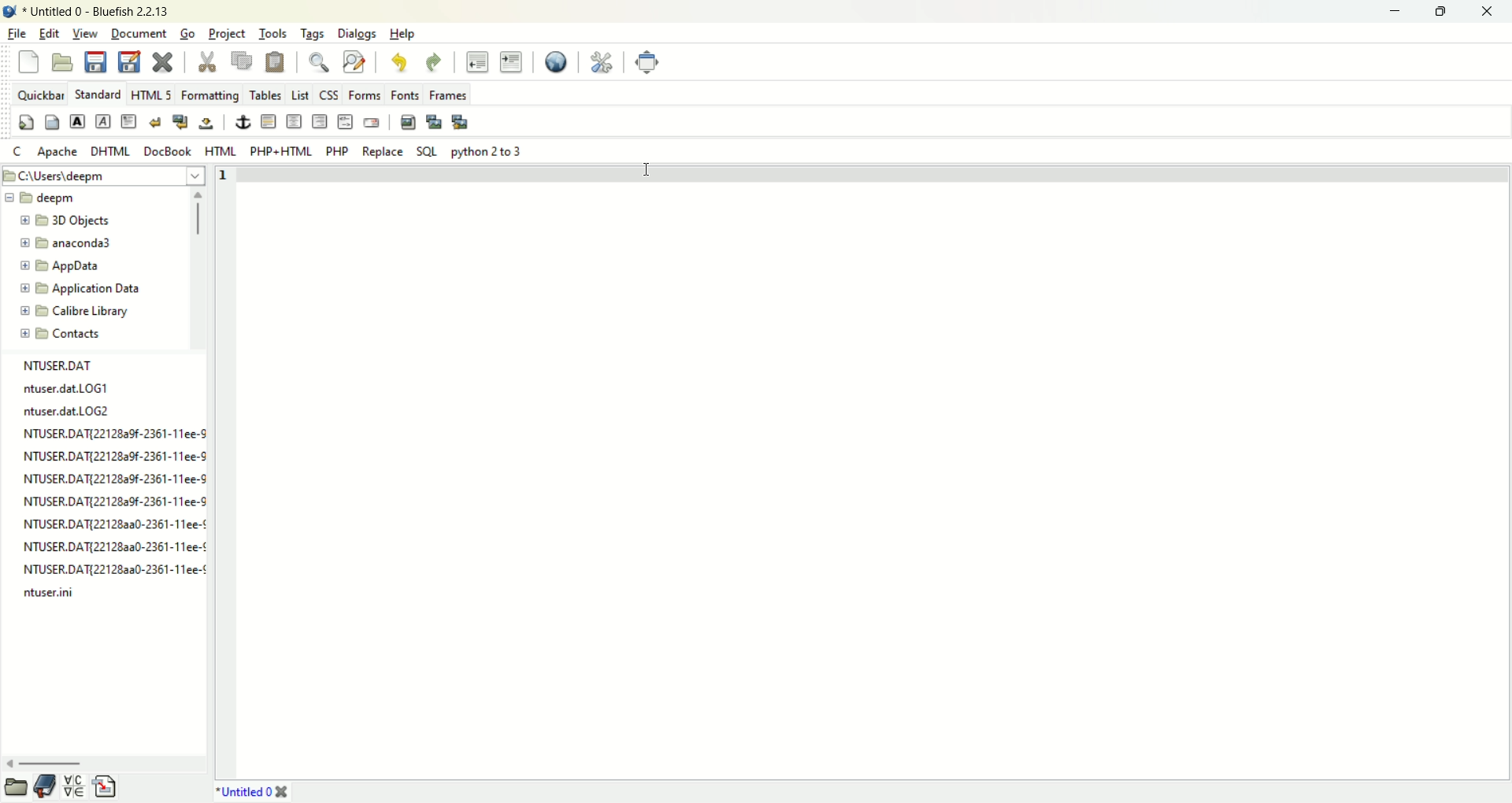 Image resolution: width=1512 pixels, height=803 pixels. I want to click on ntuser.dat.LOG1, so click(67, 386).